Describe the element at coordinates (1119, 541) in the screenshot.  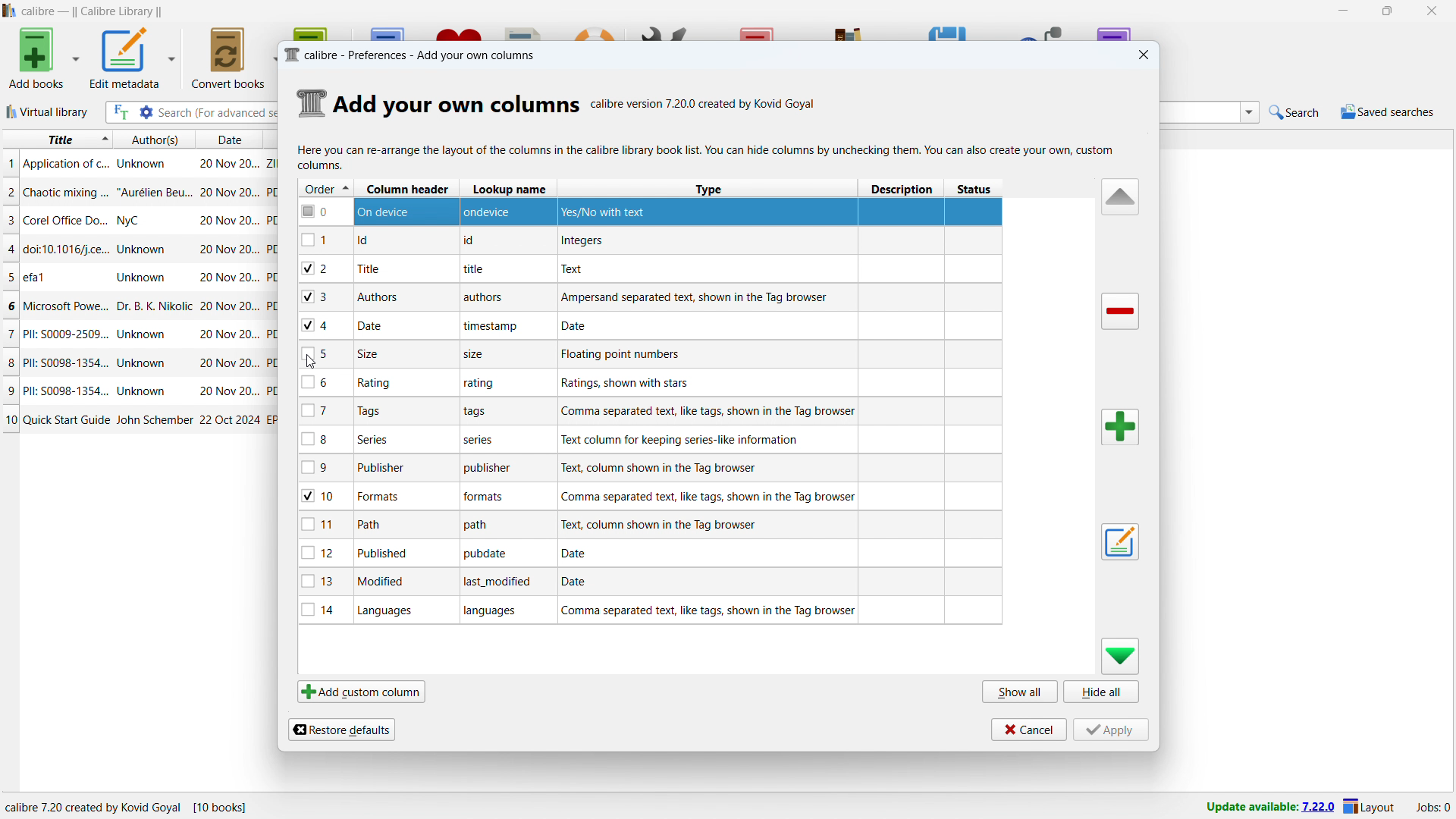
I see `edit a column` at that location.